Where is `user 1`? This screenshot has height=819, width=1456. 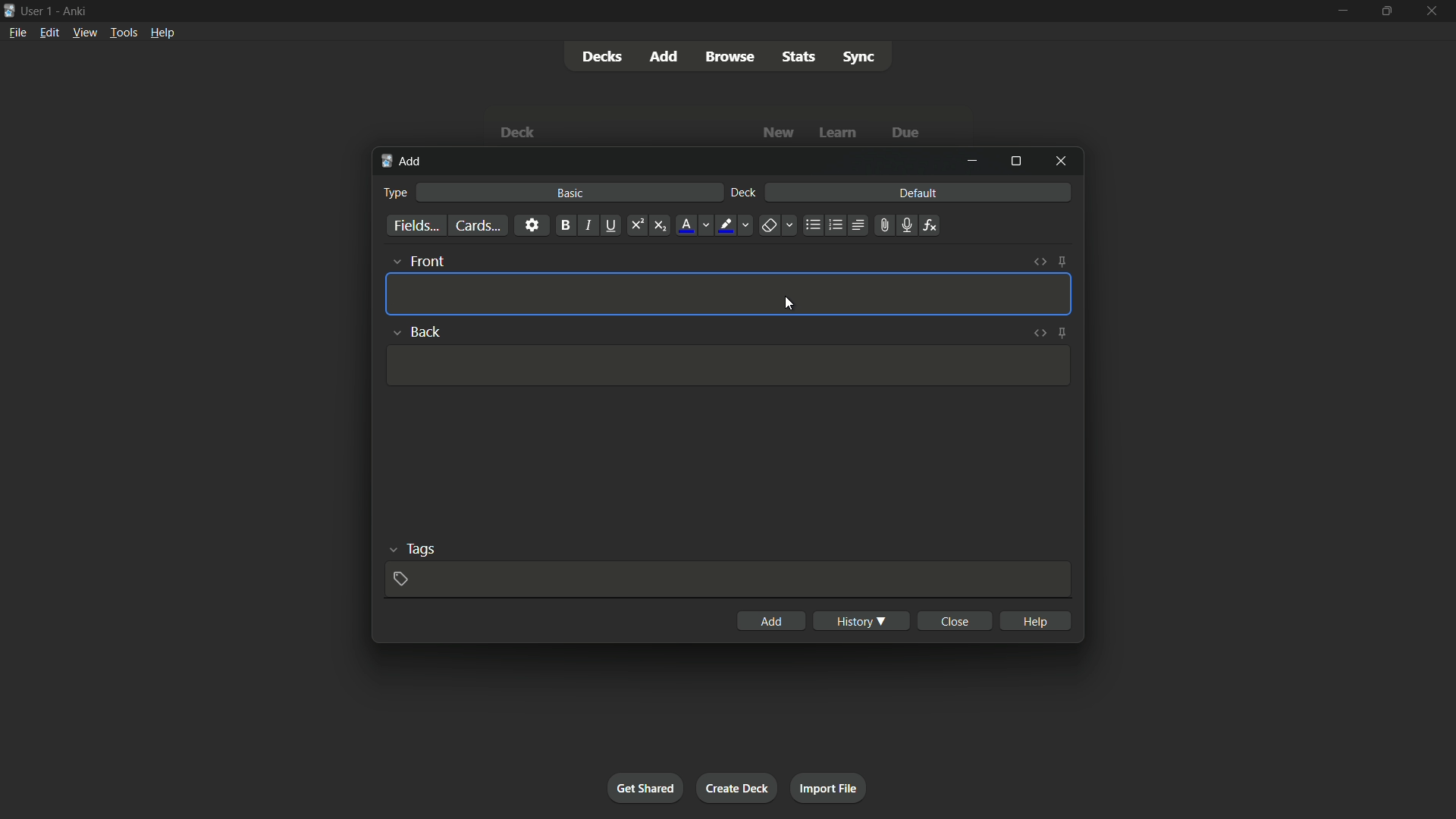
user 1 is located at coordinates (37, 8).